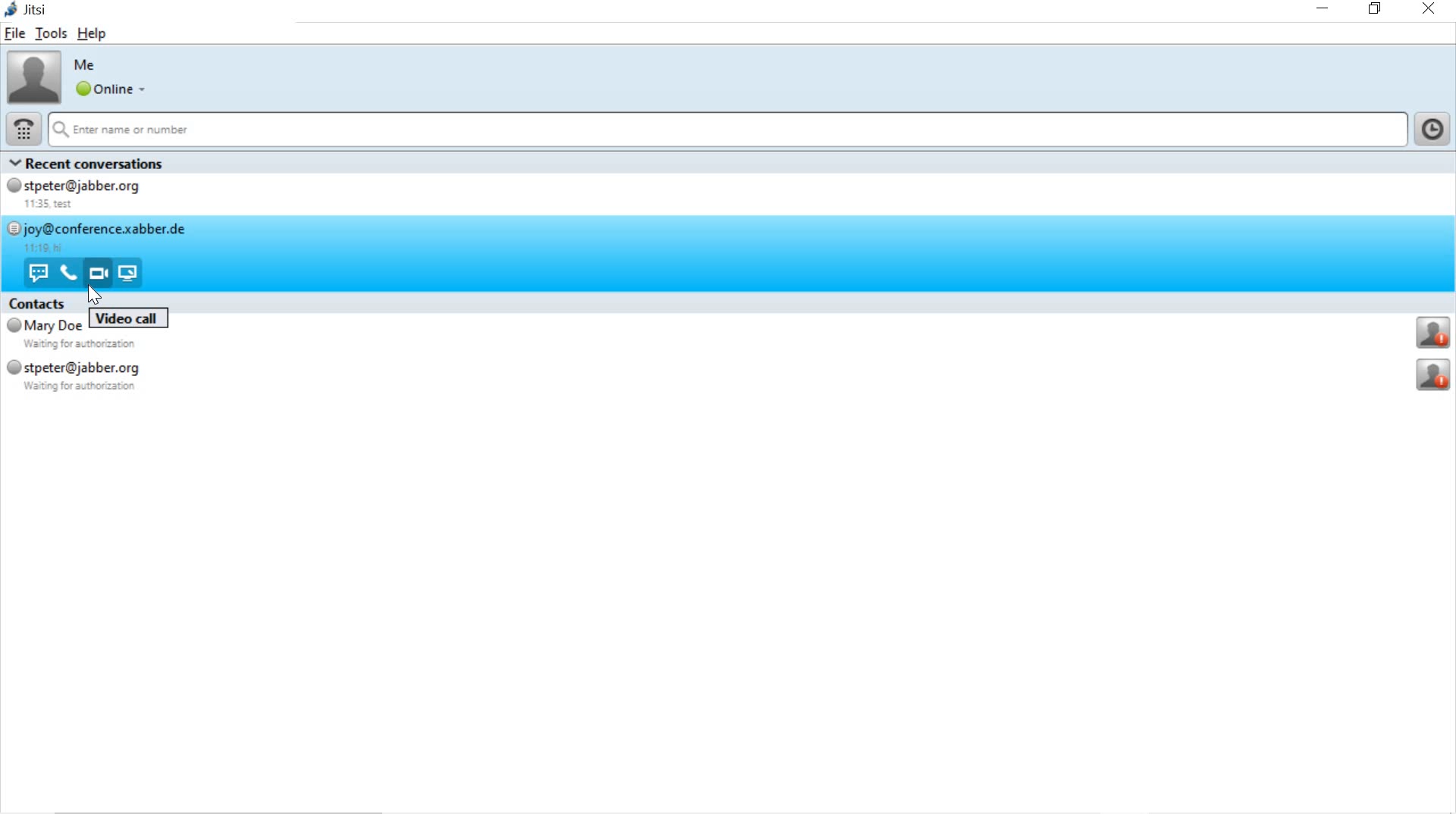 Image resolution: width=1456 pixels, height=814 pixels. Describe the element at coordinates (20, 130) in the screenshot. I see `dial pad` at that location.